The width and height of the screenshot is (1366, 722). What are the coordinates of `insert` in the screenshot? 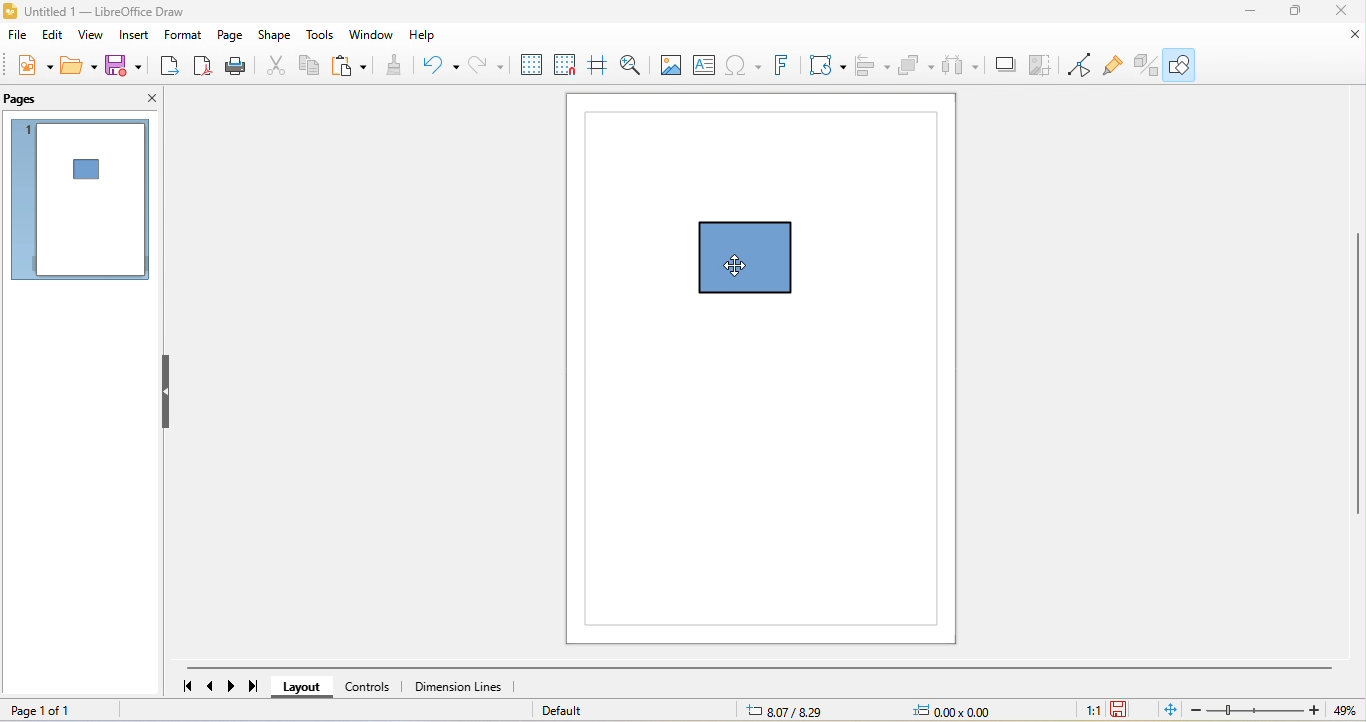 It's located at (134, 38).